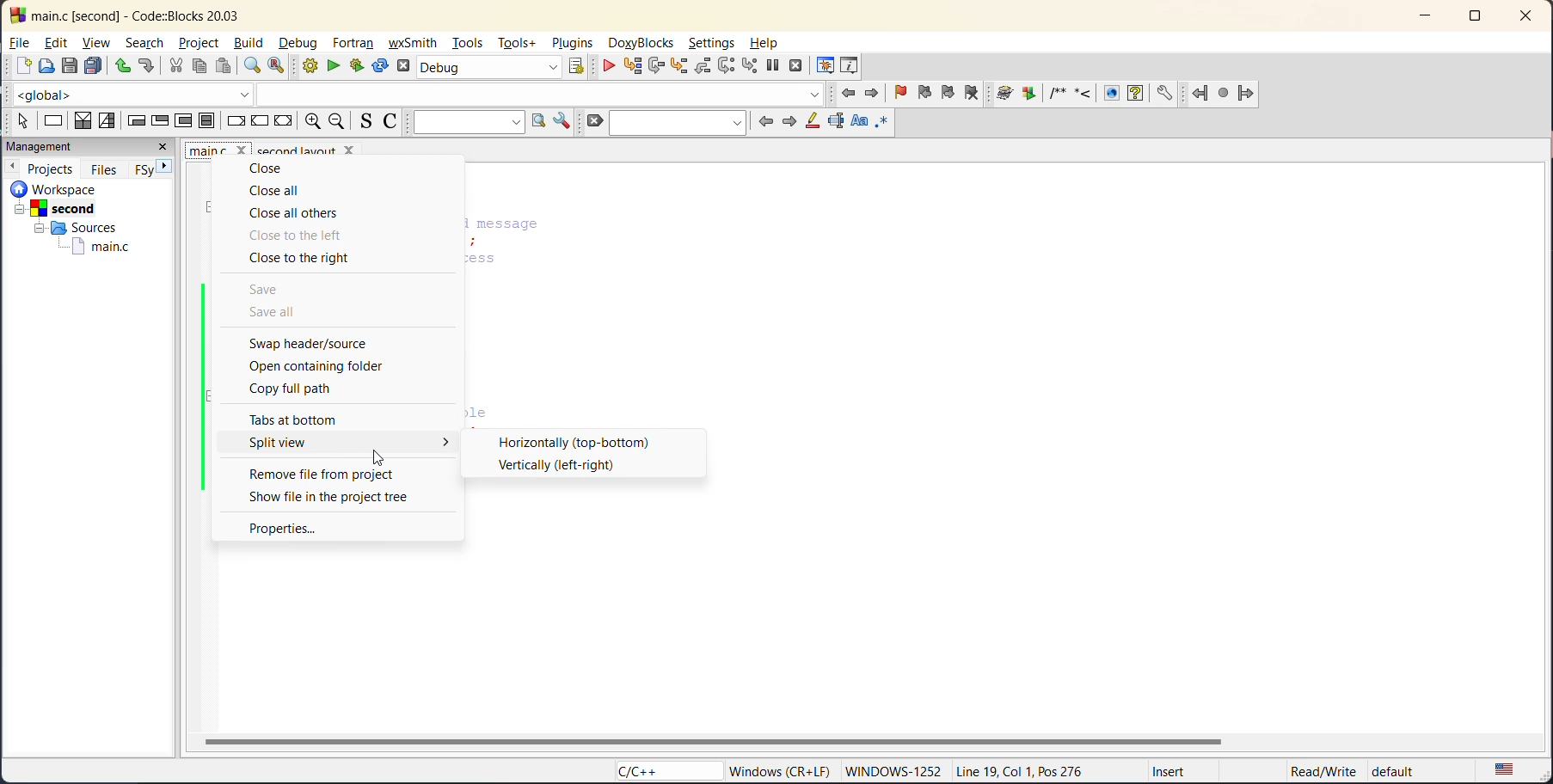 The height and width of the screenshot is (784, 1553). I want to click on plugins, so click(572, 42).